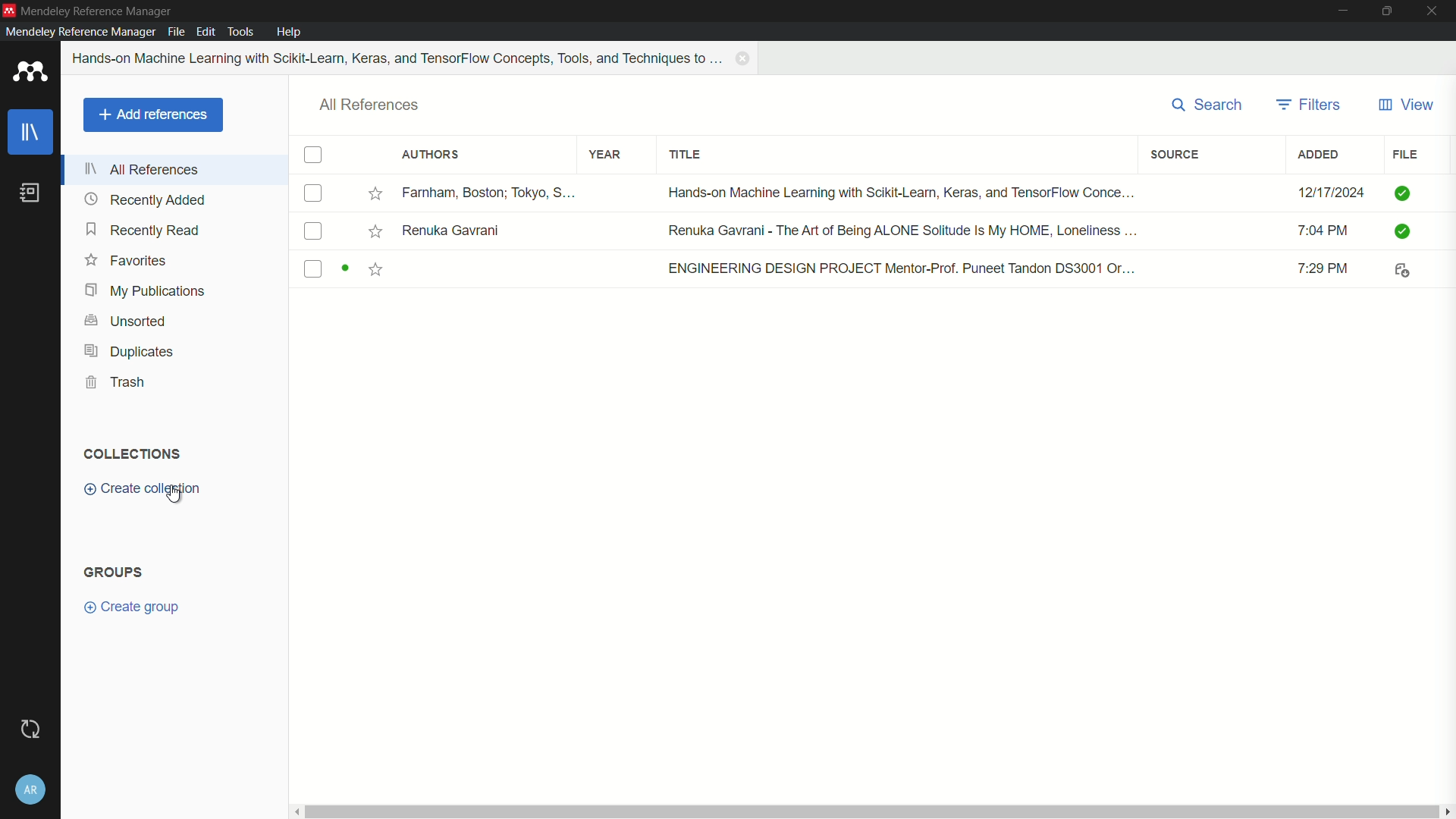  What do you see at coordinates (290, 32) in the screenshot?
I see `help menu` at bounding box center [290, 32].